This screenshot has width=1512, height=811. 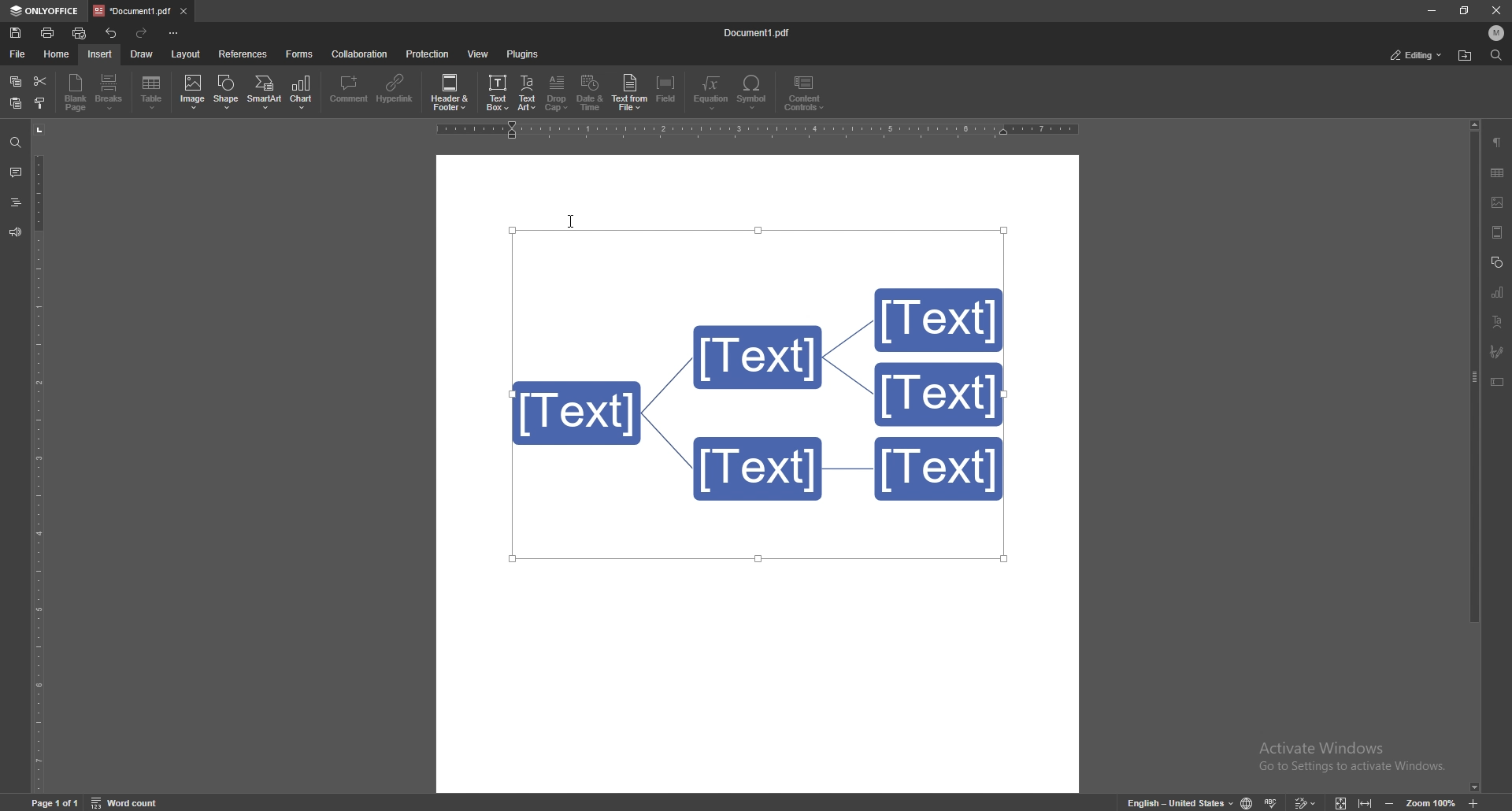 I want to click on table, so click(x=1499, y=172).